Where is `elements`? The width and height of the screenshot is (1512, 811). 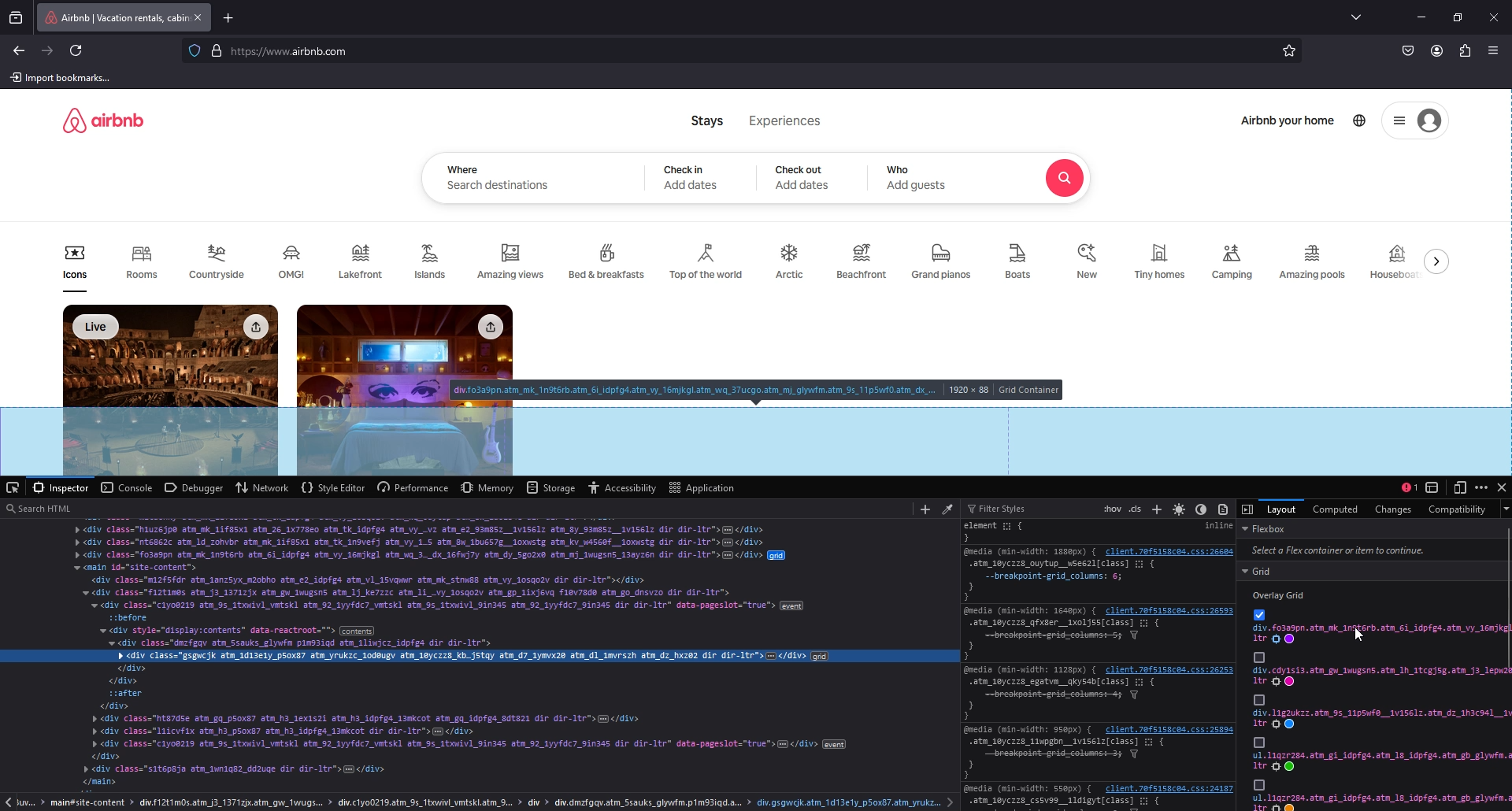
elements is located at coordinates (1010, 531).